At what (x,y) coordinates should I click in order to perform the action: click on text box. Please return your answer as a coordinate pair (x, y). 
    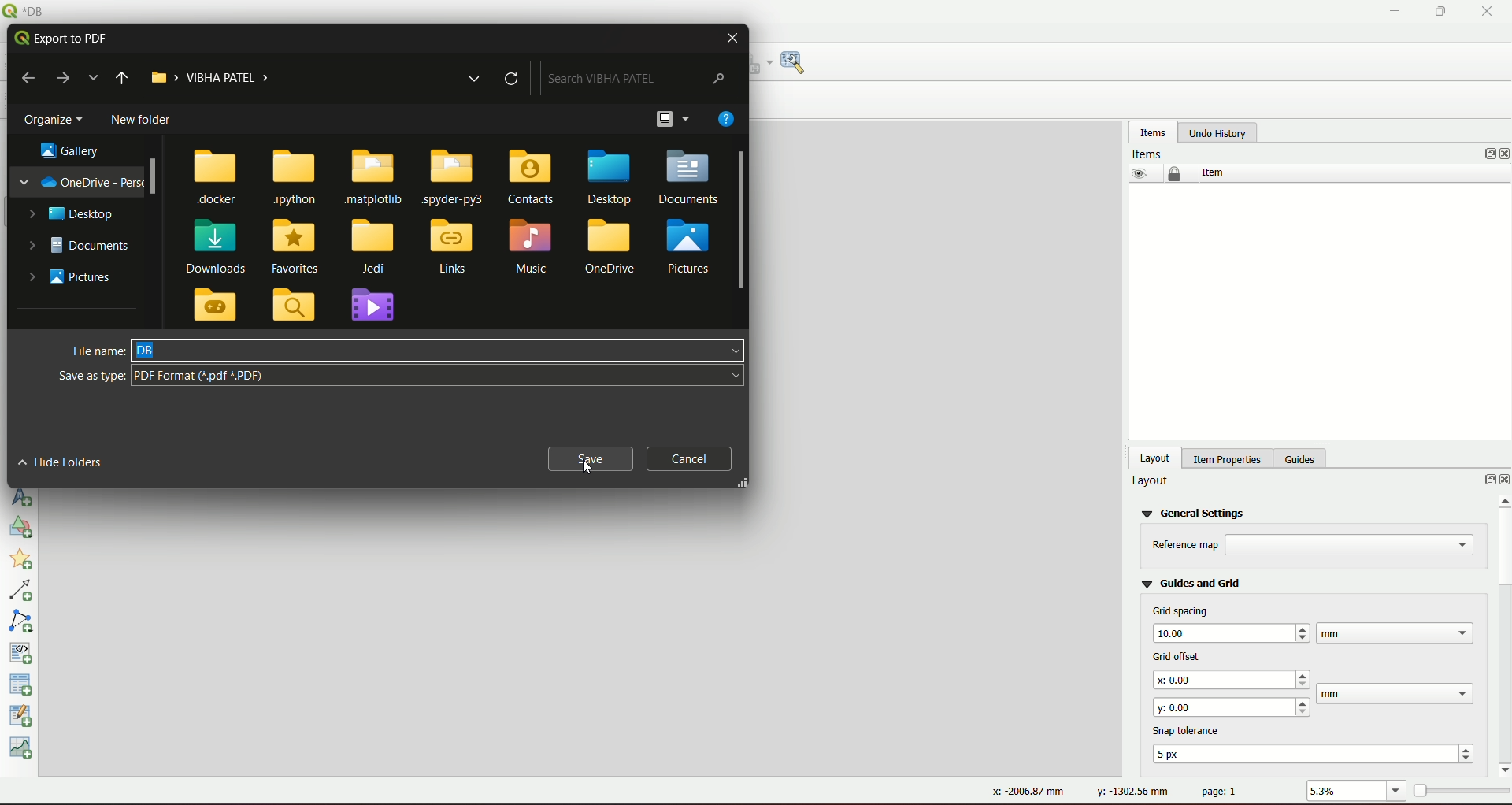
    Looking at the image, I should click on (1232, 706).